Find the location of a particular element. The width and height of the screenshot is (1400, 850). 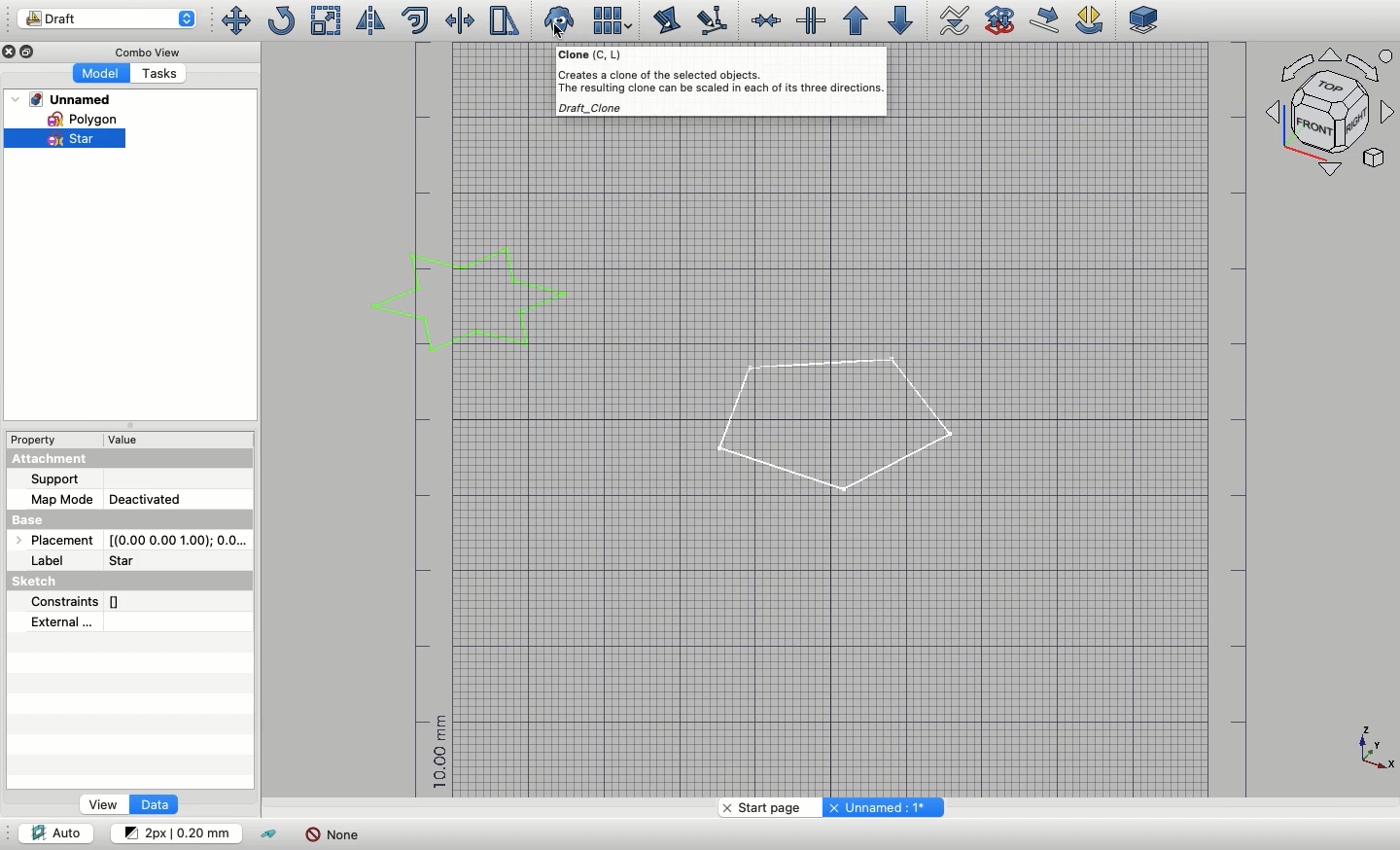

Auto is located at coordinates (55, 832).